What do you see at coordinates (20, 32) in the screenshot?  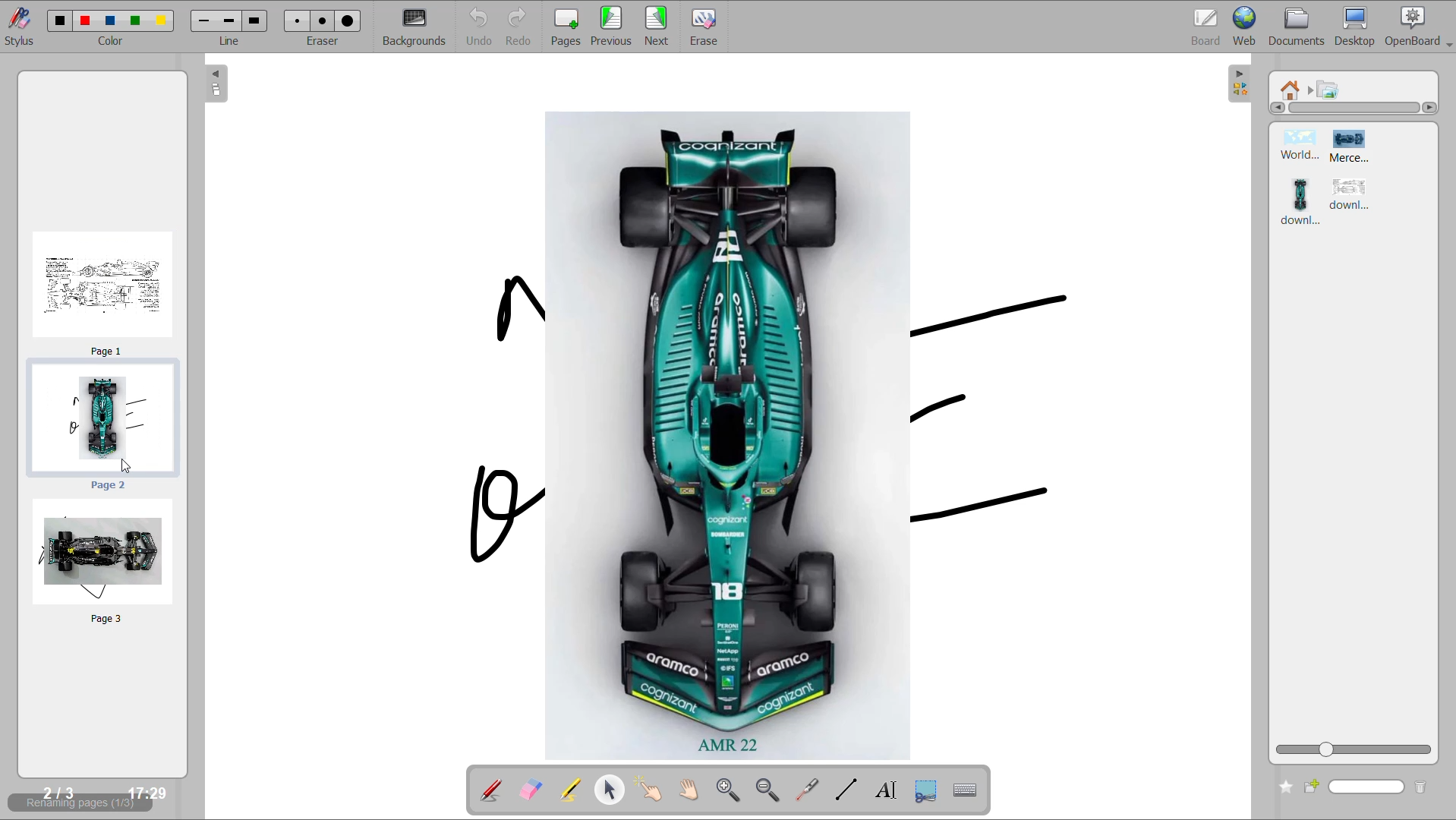 I see `stylus` at bounding box center [20, 32].